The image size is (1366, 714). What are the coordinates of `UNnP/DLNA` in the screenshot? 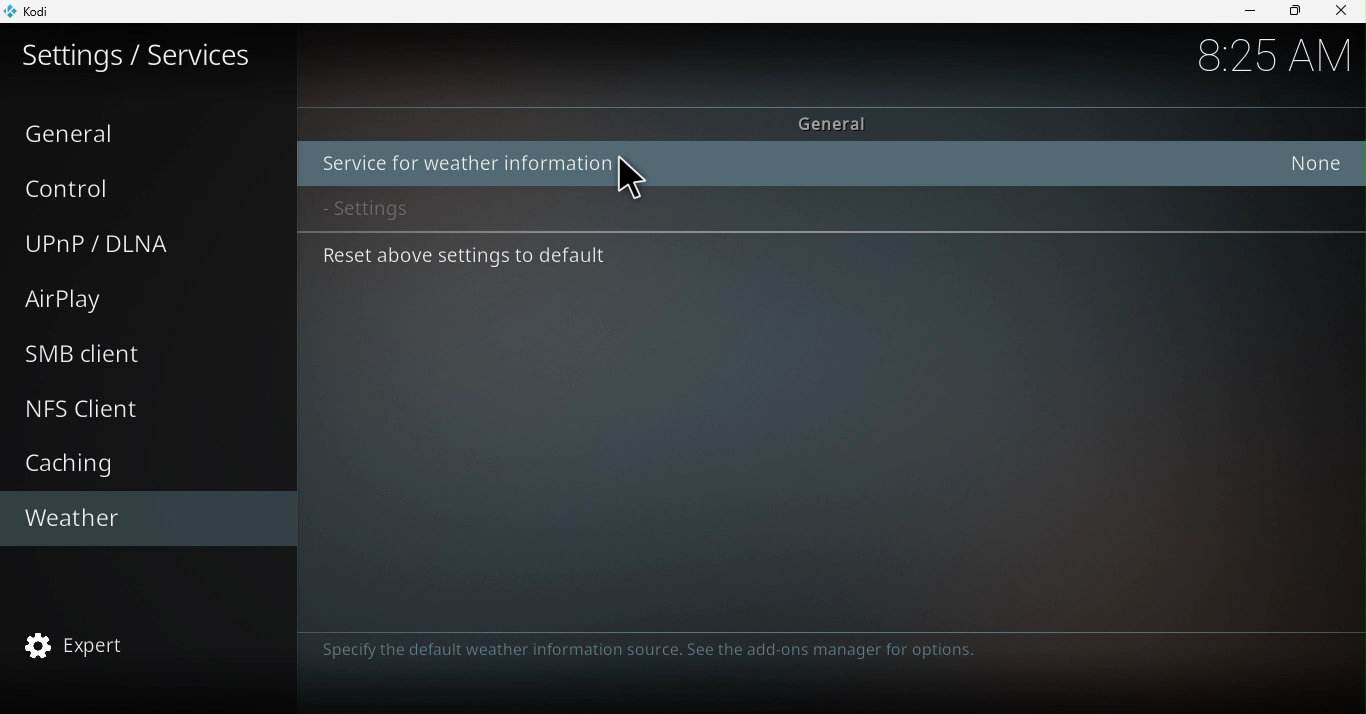 It's located at (139, 244).